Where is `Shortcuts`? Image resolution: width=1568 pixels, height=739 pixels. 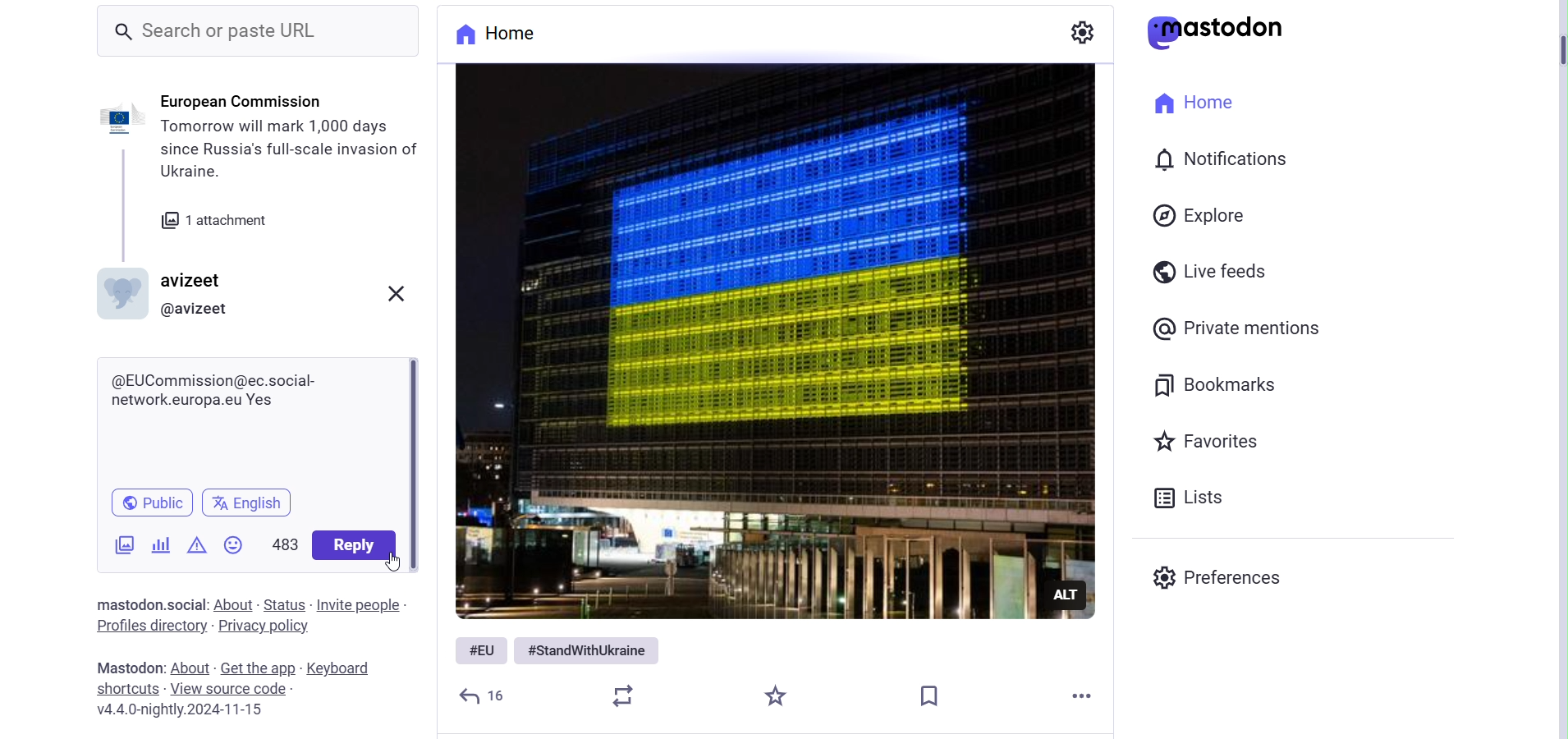 Shortcuts is located at coordinates (128, 690).